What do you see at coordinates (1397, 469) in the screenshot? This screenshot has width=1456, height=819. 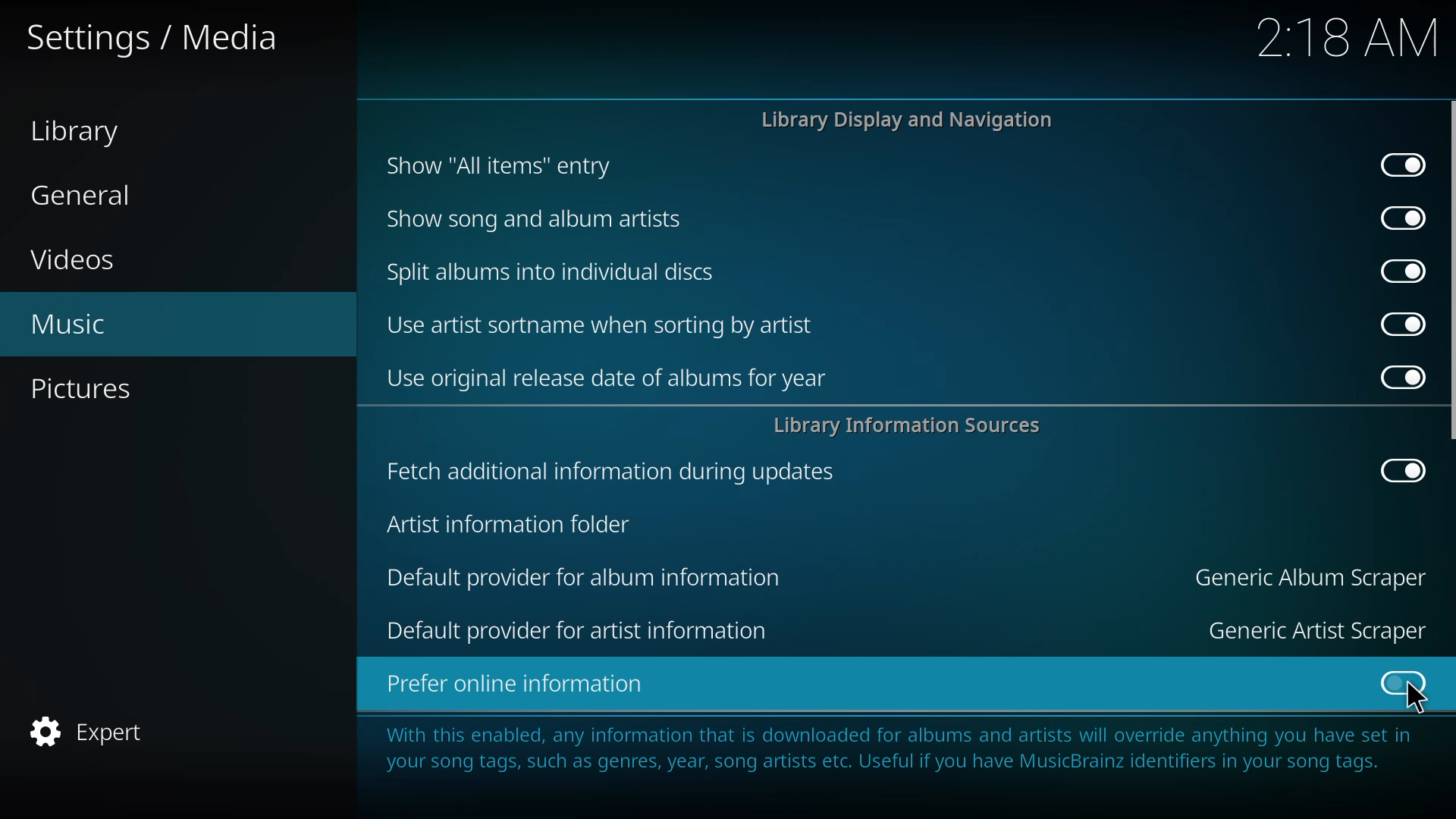 I see `enabled` at bounding box center [1397, 469].